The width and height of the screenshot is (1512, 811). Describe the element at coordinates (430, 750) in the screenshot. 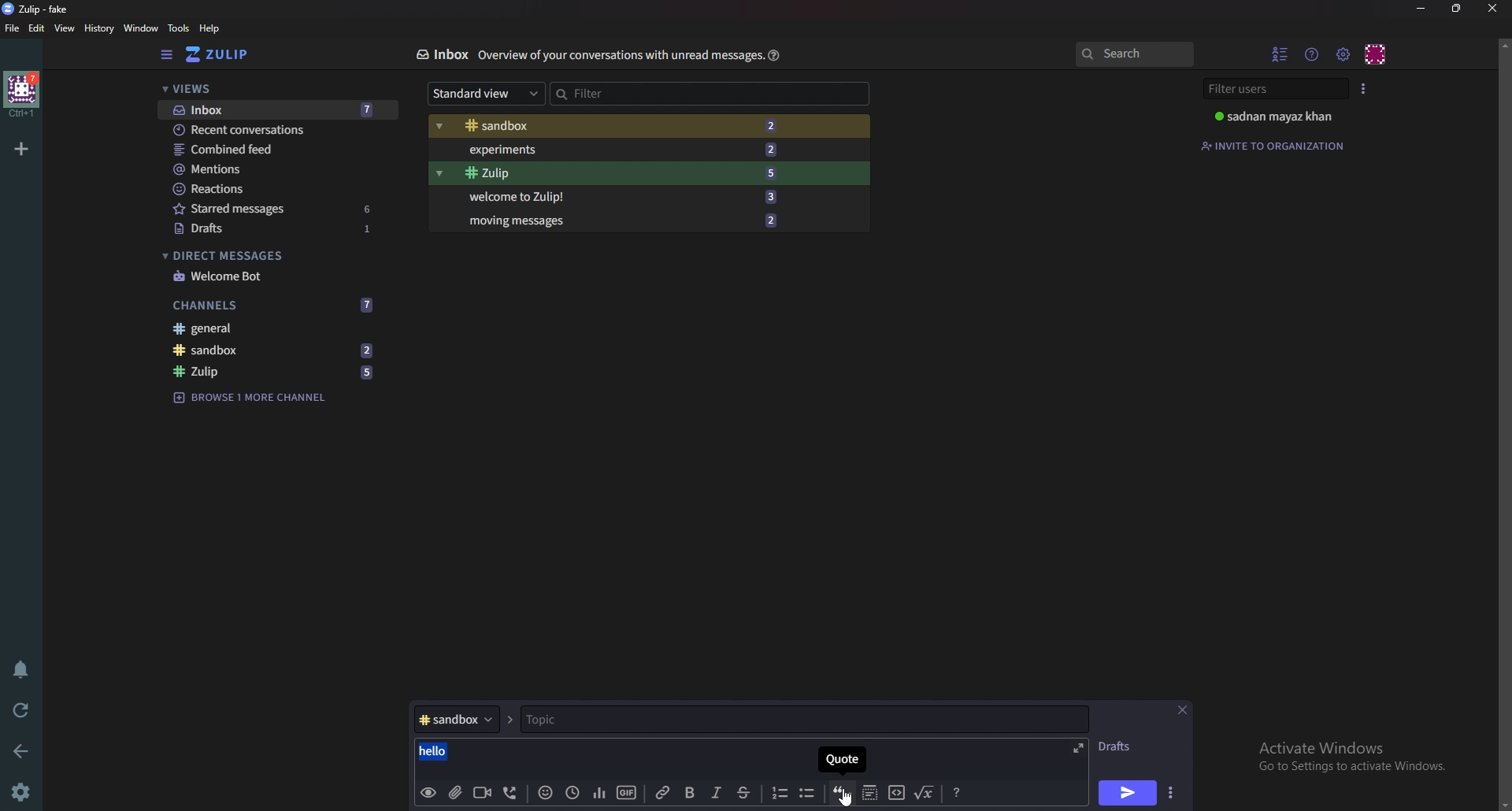

I see `hello` at that location.